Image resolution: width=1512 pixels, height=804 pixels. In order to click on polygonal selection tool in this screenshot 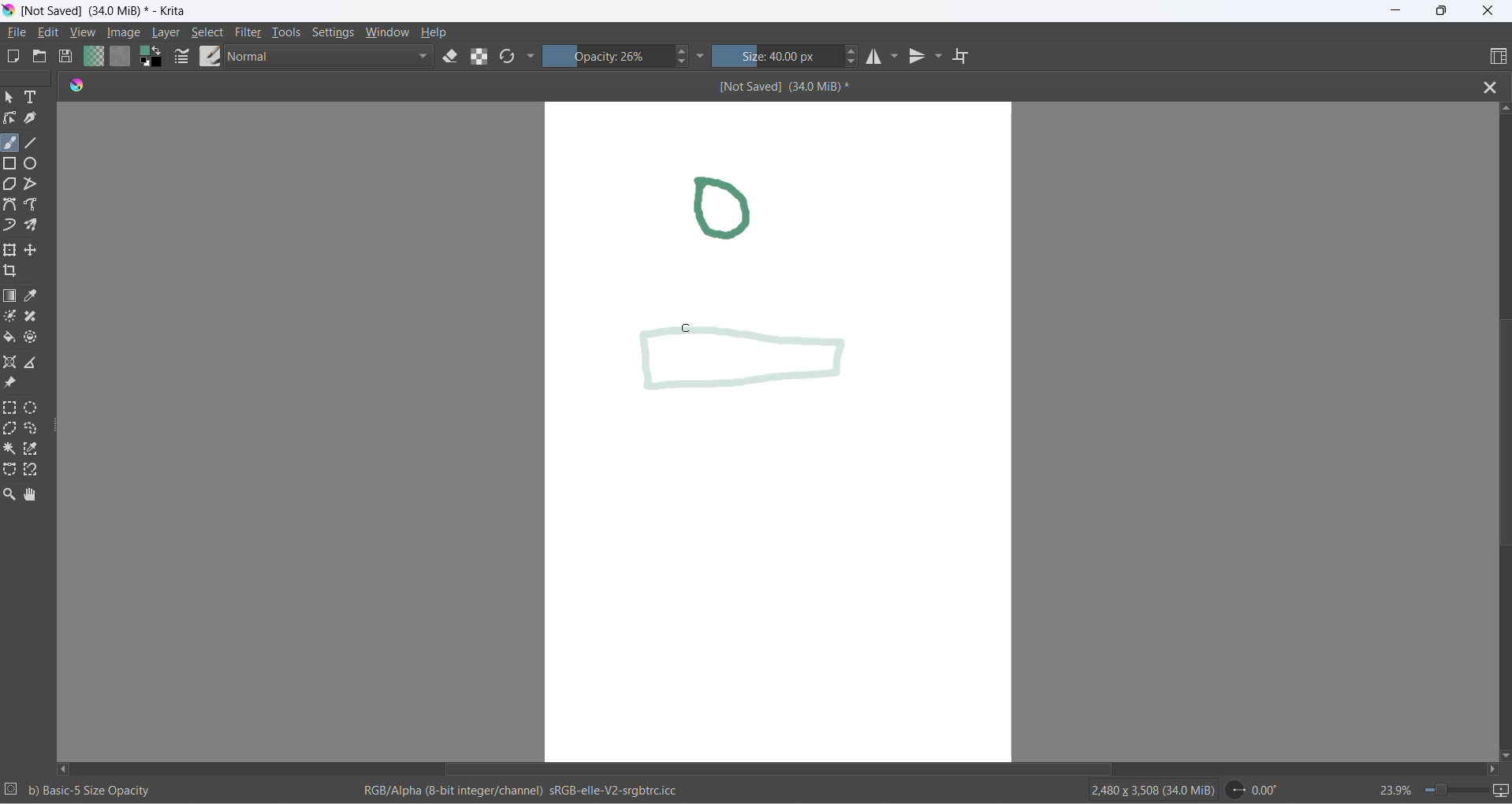, I will do `click(10, 430)`.